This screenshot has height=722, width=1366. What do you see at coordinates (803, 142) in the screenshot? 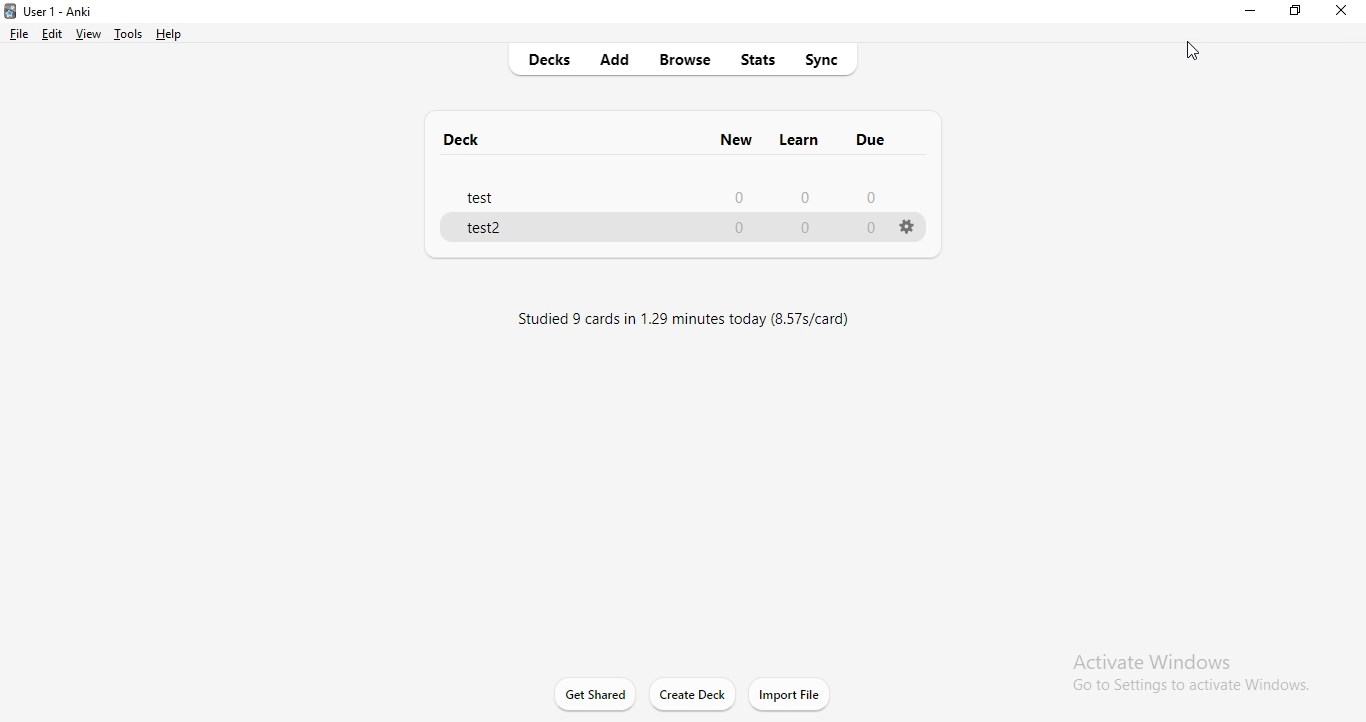
I see `learn` at bounding box center [803, 142].